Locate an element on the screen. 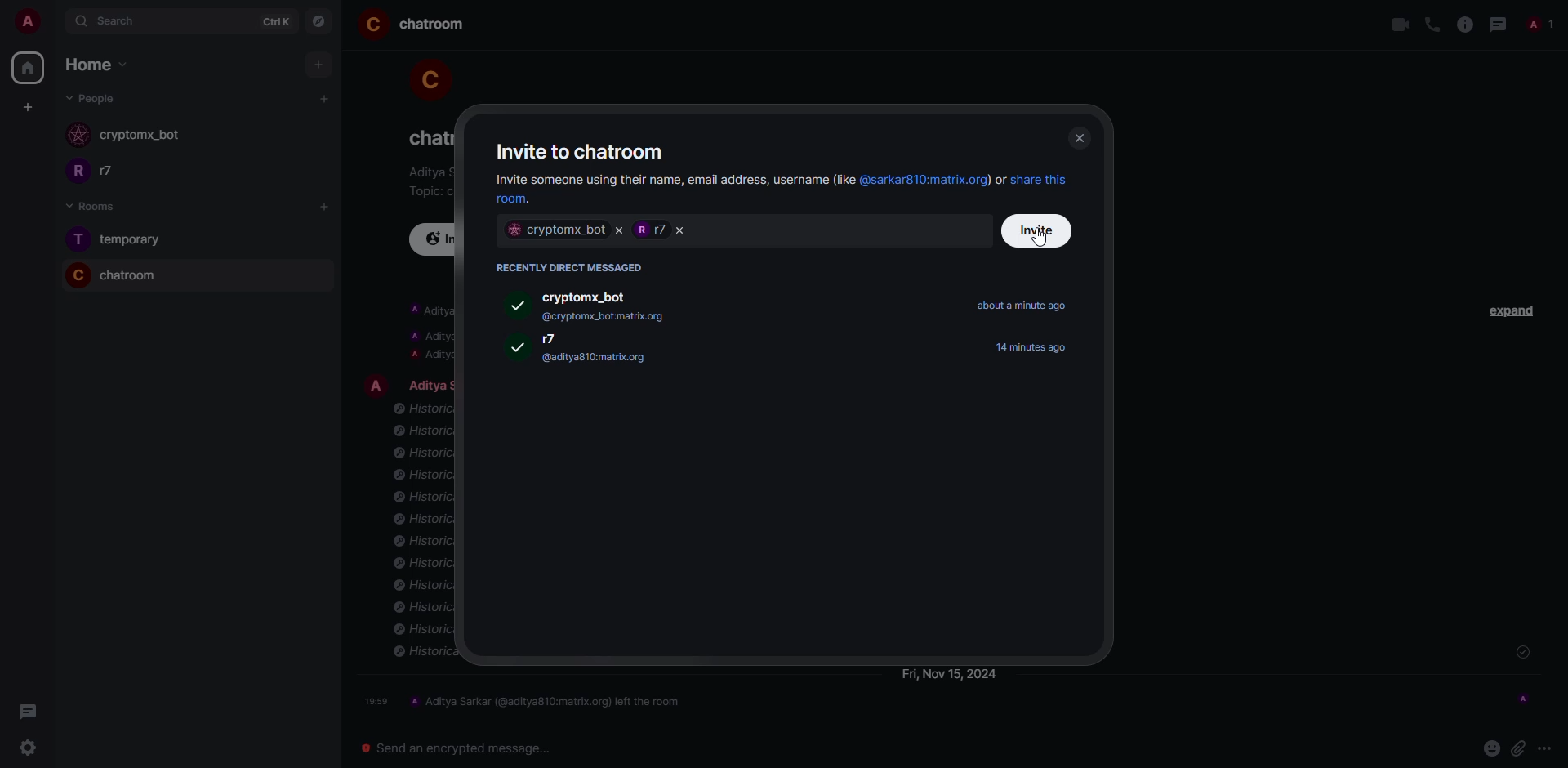  home is located at coordinates (88, 65).